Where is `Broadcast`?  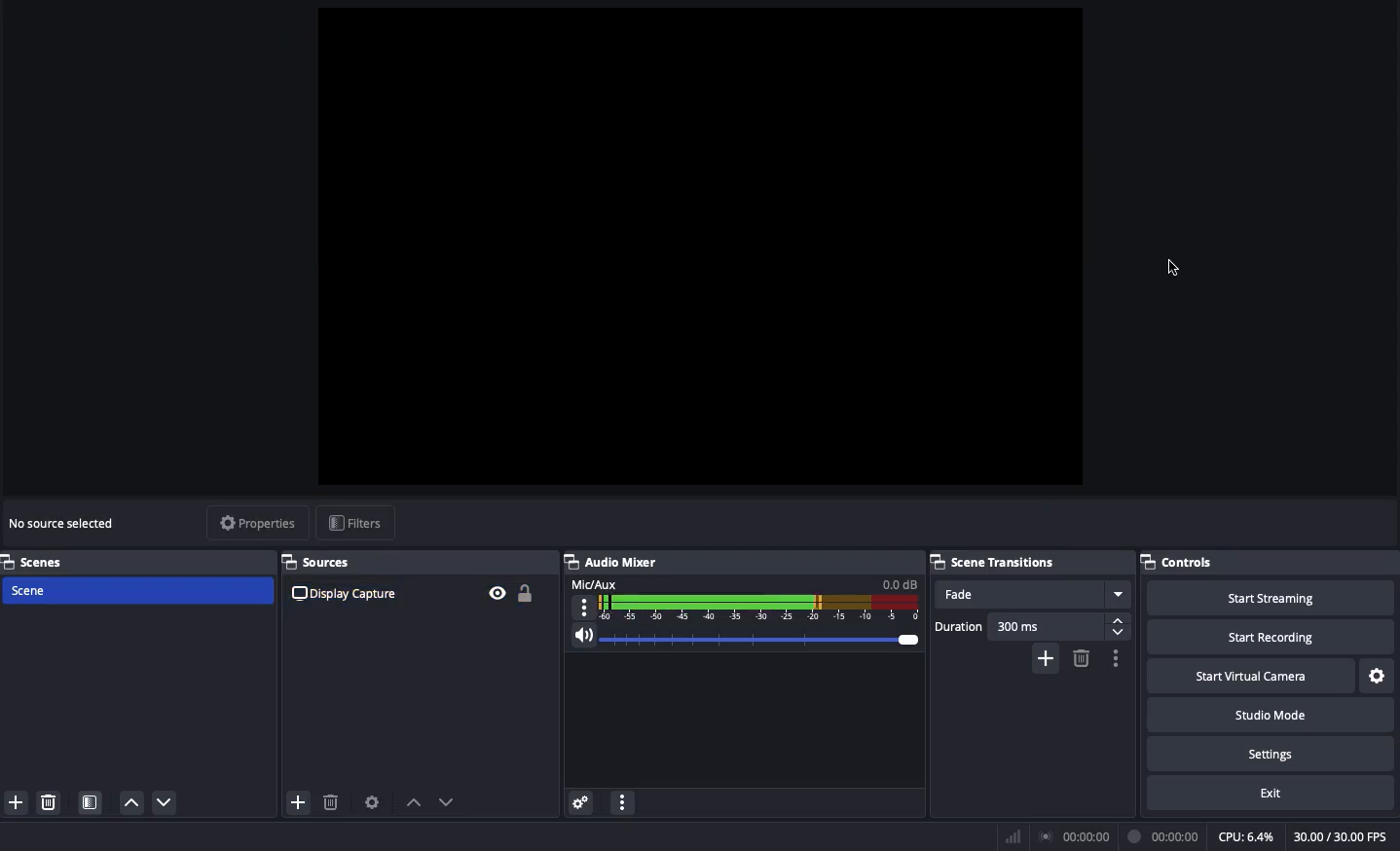 Broadcast is located at coordinates (1078, 837).